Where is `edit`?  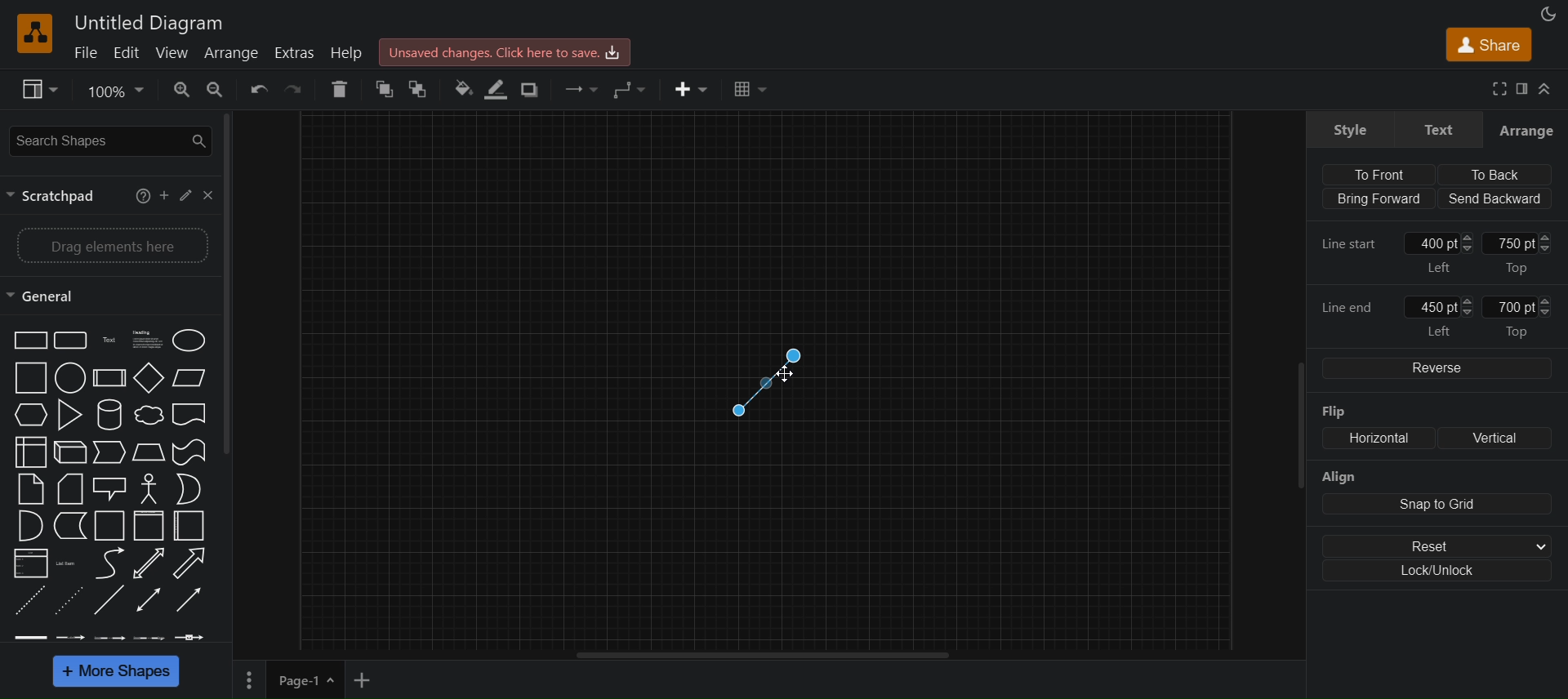
edit is located at coordinates (186, 195).